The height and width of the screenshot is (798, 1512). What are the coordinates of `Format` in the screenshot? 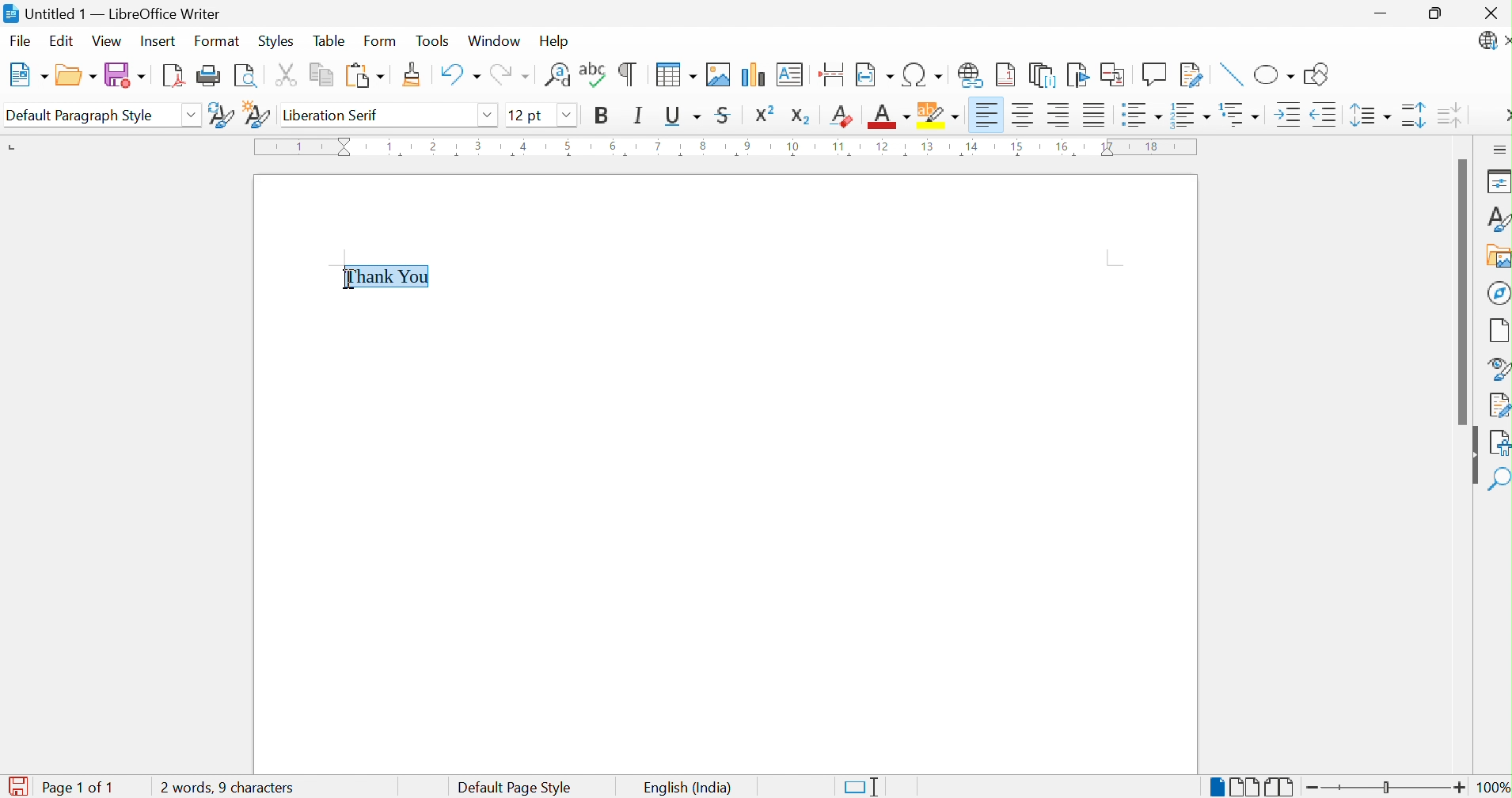 It's located at (218, 42).